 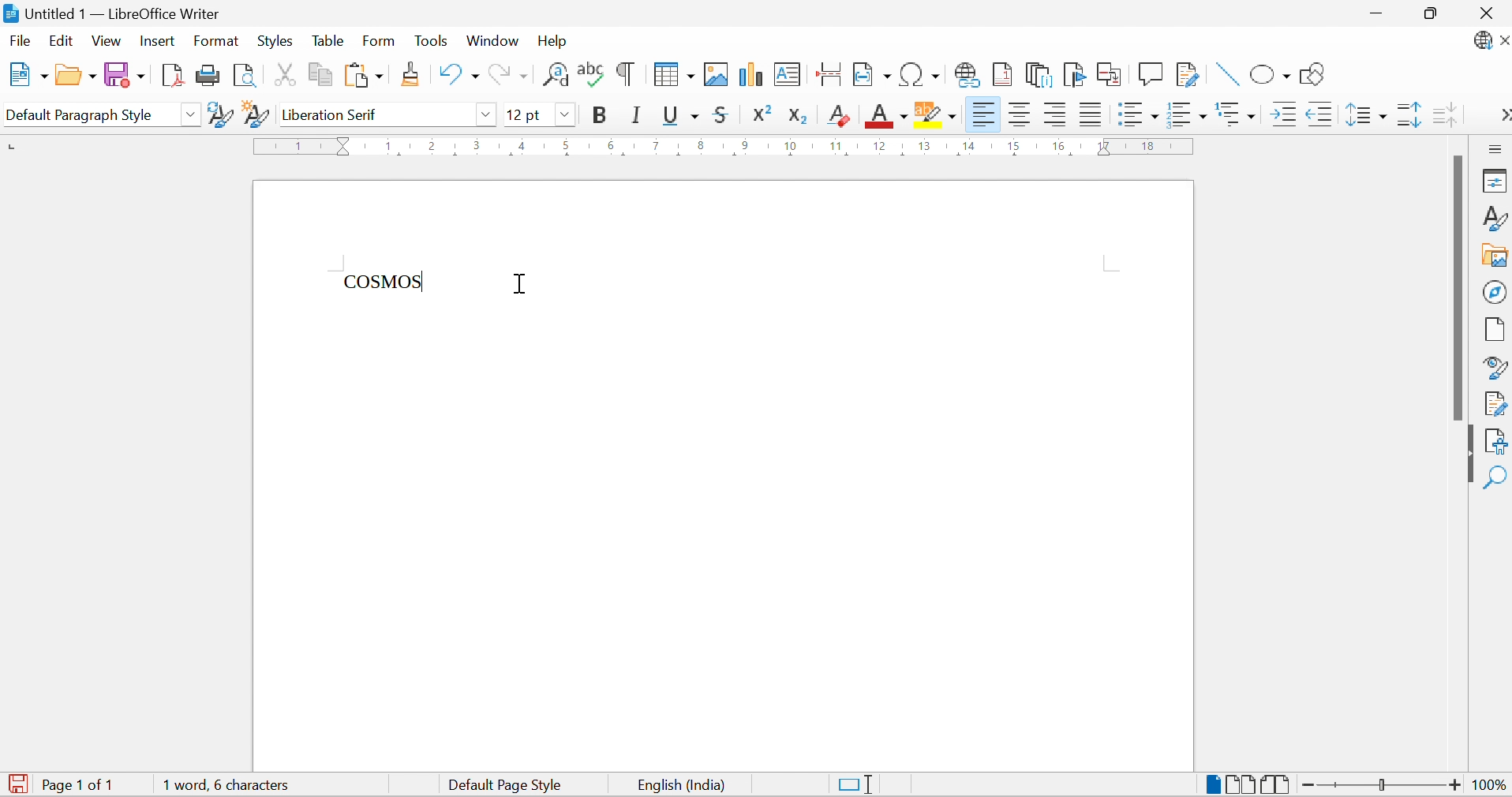 I want to click on Open, so click(x=74, y=74).